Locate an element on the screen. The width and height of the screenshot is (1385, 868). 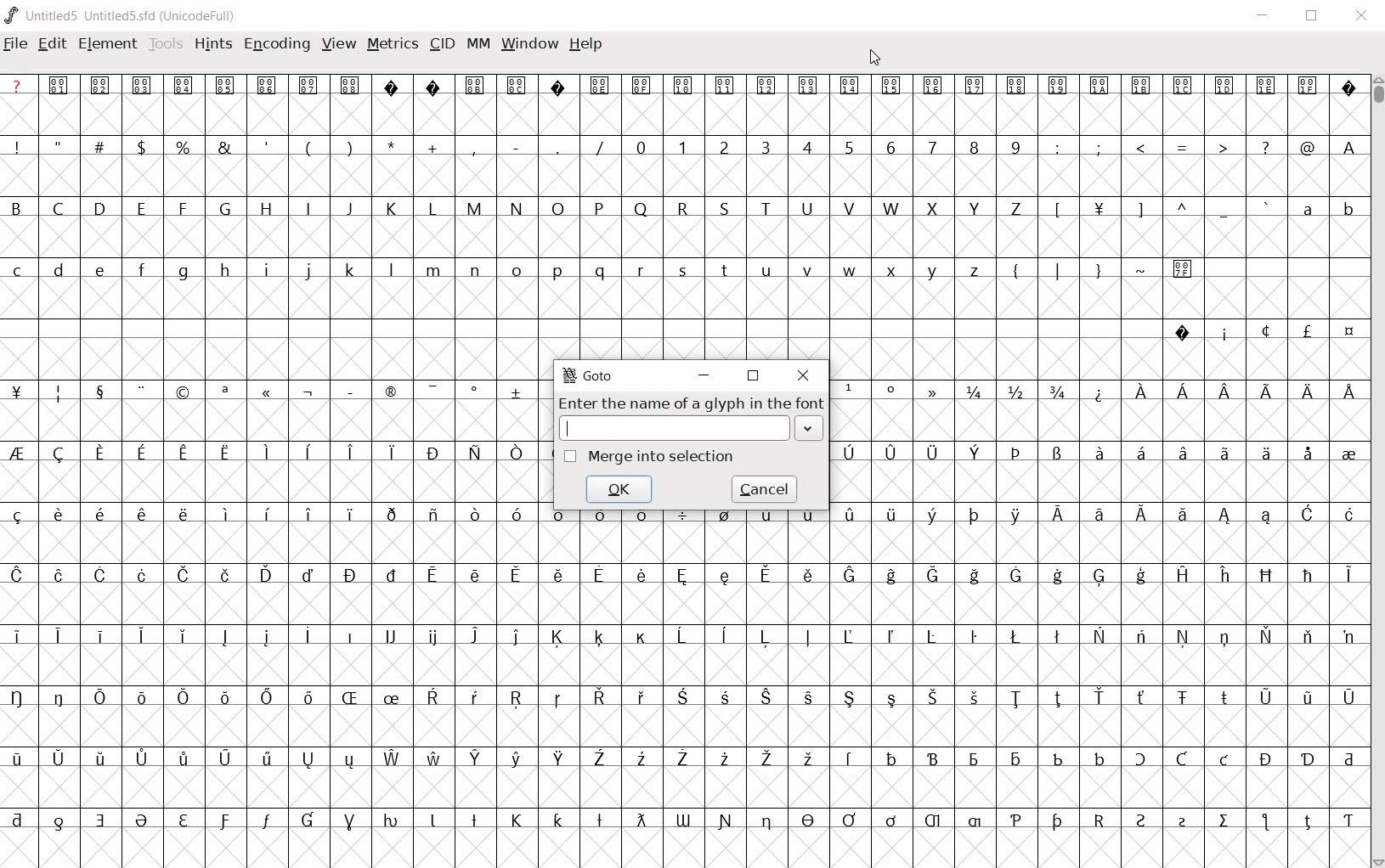
Symbol is located at coordinates (393, 821).